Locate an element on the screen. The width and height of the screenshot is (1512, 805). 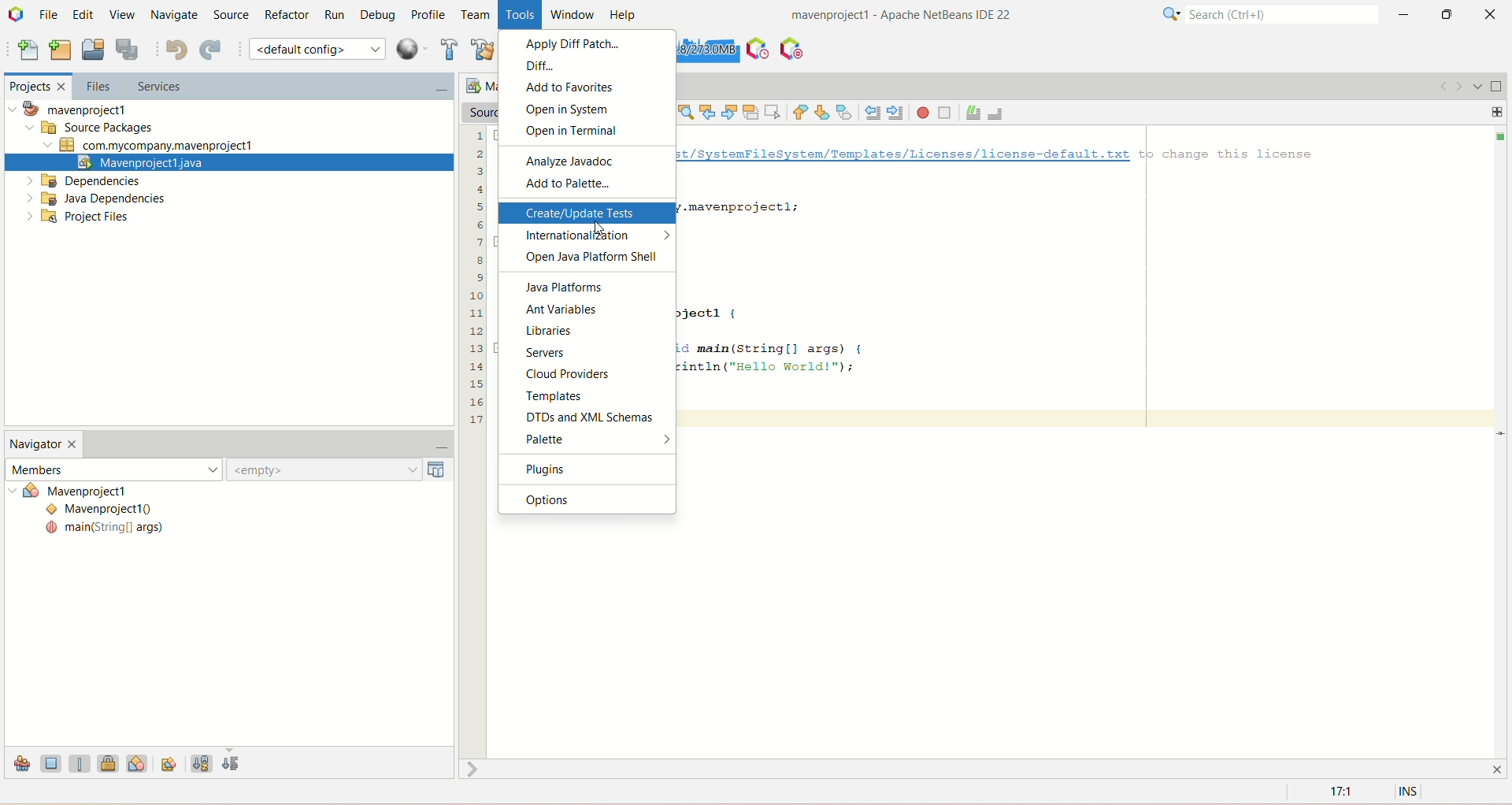
files is located at coordinates (95, 87).